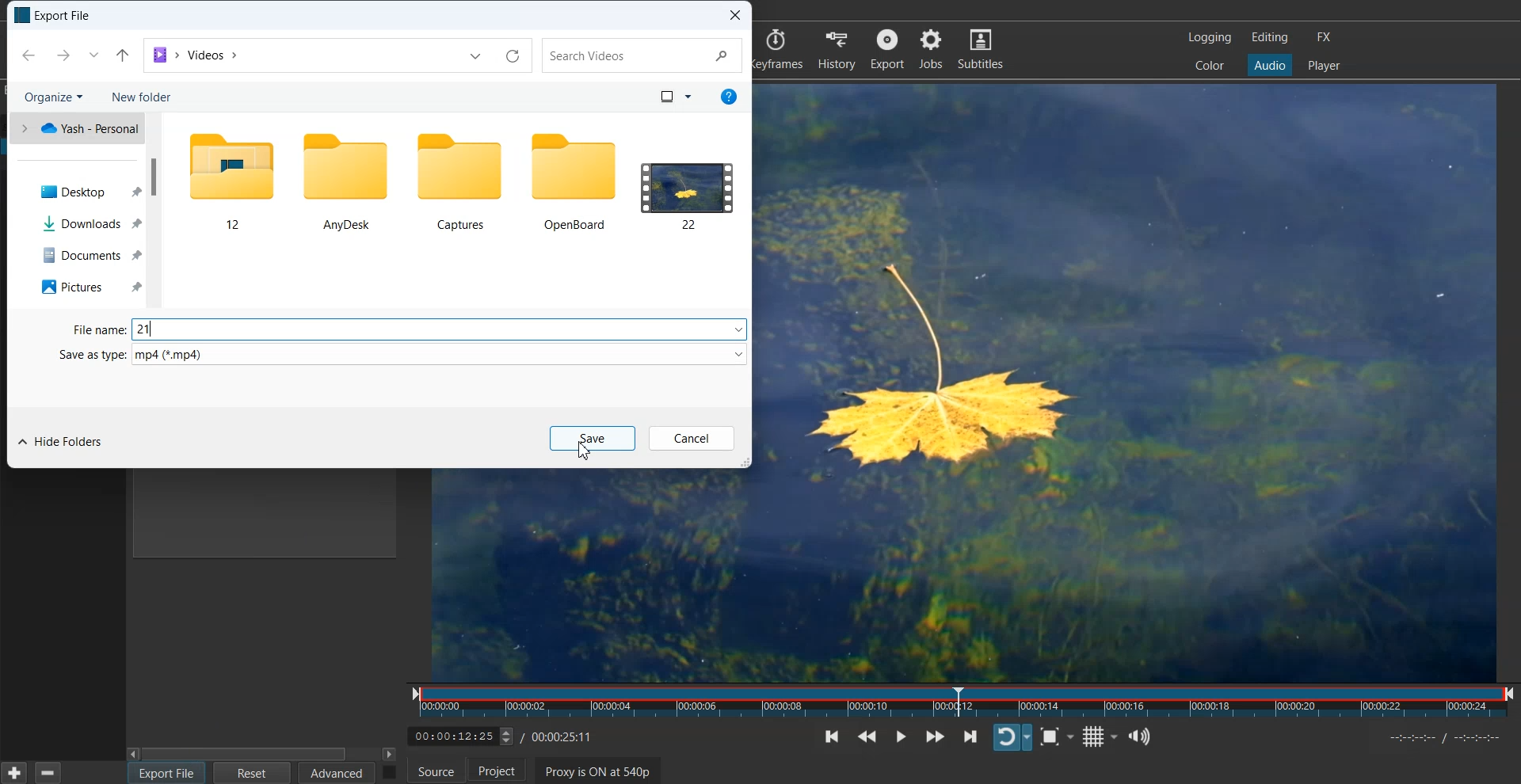  Describe the element at coordinates (1144, 736) in the screenshot. I see `Show the volume control` at that location.